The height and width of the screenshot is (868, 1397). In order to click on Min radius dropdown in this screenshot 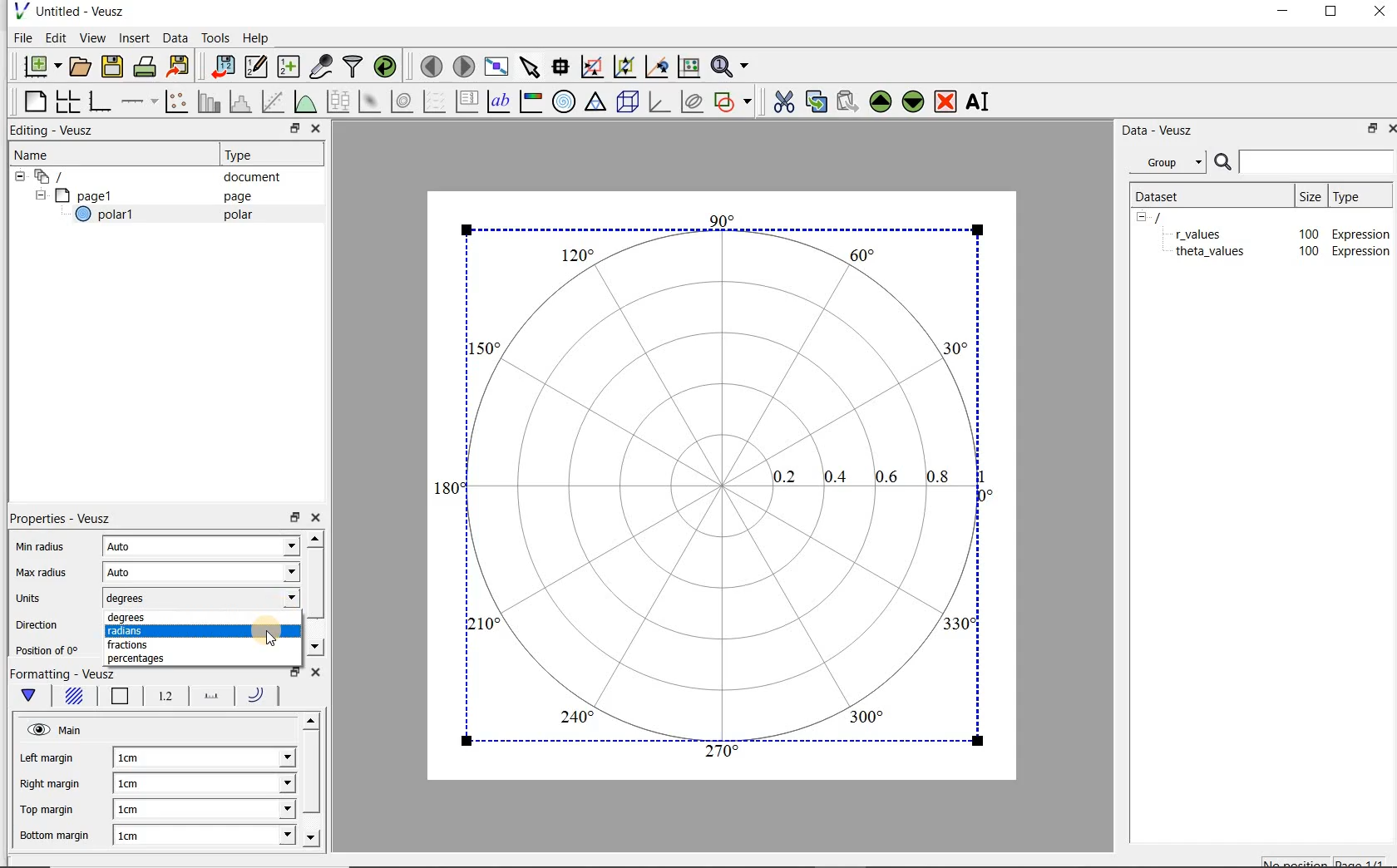, I will do `click(262, 547)`.